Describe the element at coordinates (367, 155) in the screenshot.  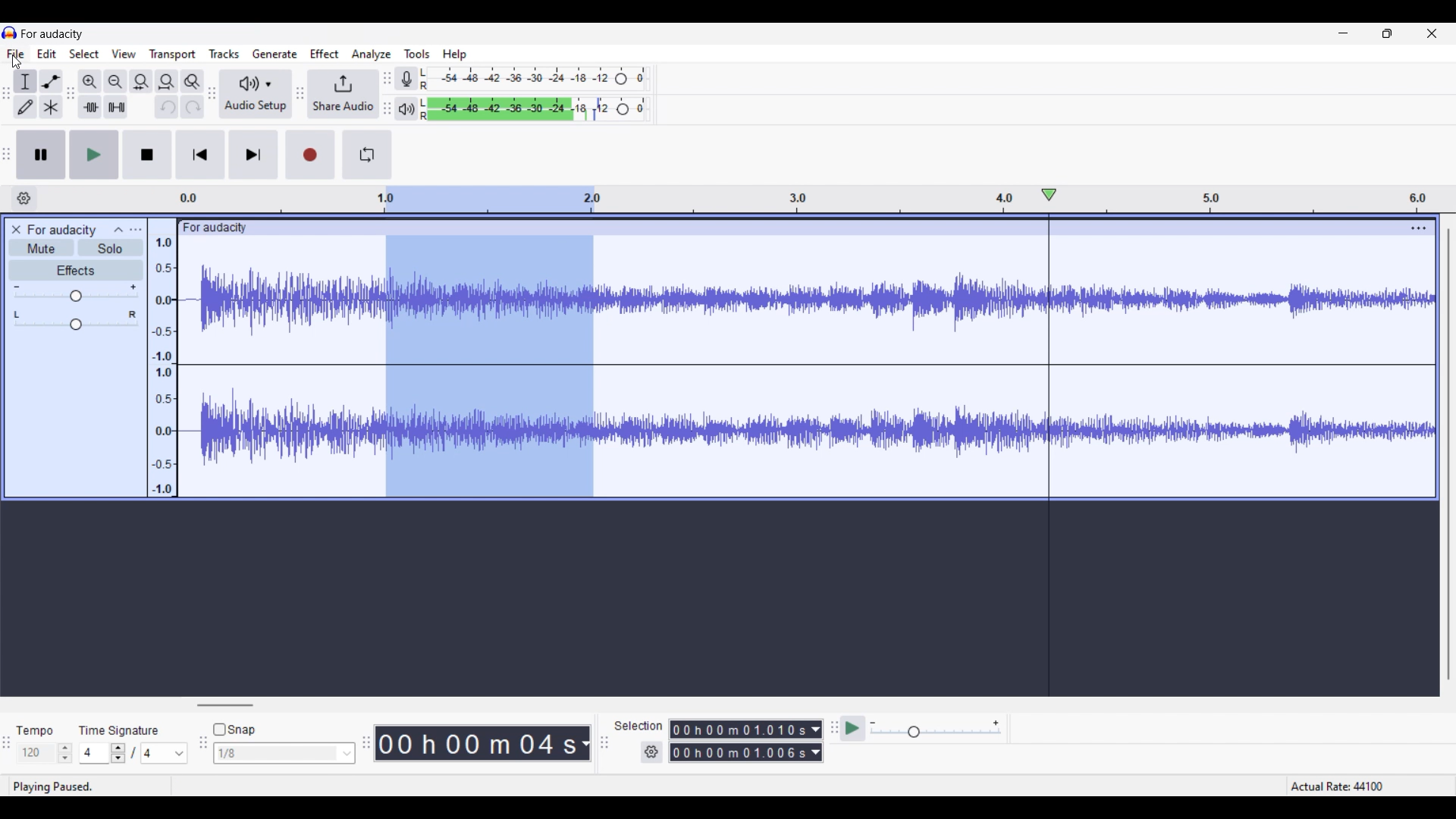
I see `Enable looping` at that location.